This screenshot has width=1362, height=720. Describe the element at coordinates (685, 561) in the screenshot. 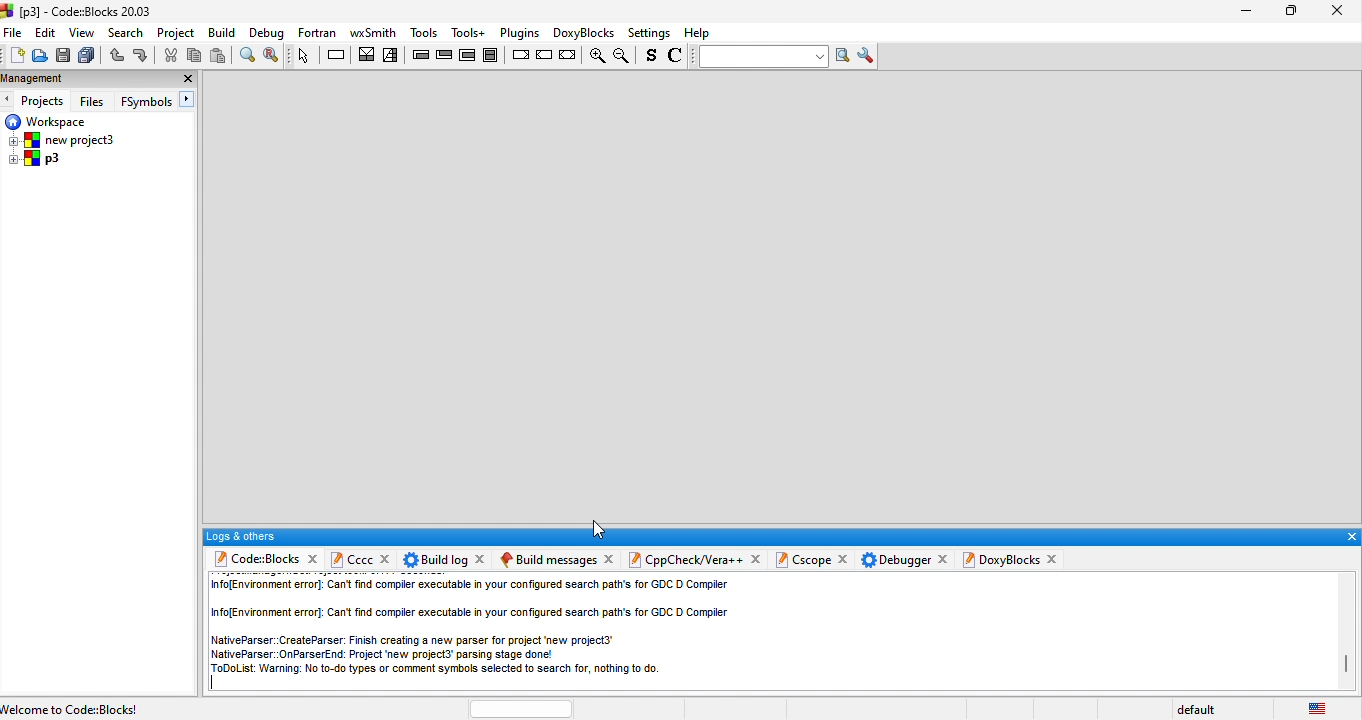

I see `cppcheck/vera++` at that location.